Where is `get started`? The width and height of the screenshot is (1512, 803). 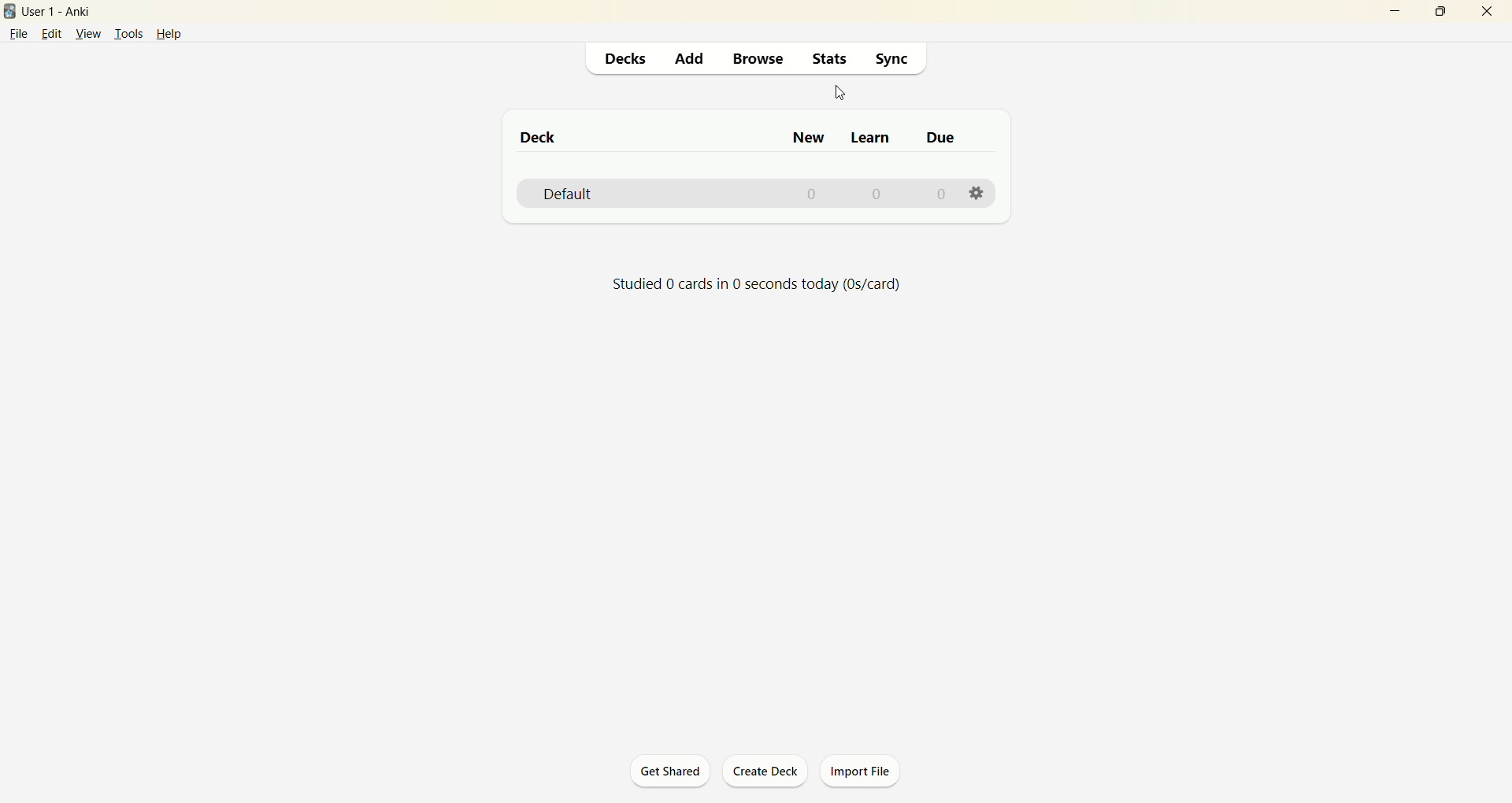
get started is located at coordinates (670, 771).